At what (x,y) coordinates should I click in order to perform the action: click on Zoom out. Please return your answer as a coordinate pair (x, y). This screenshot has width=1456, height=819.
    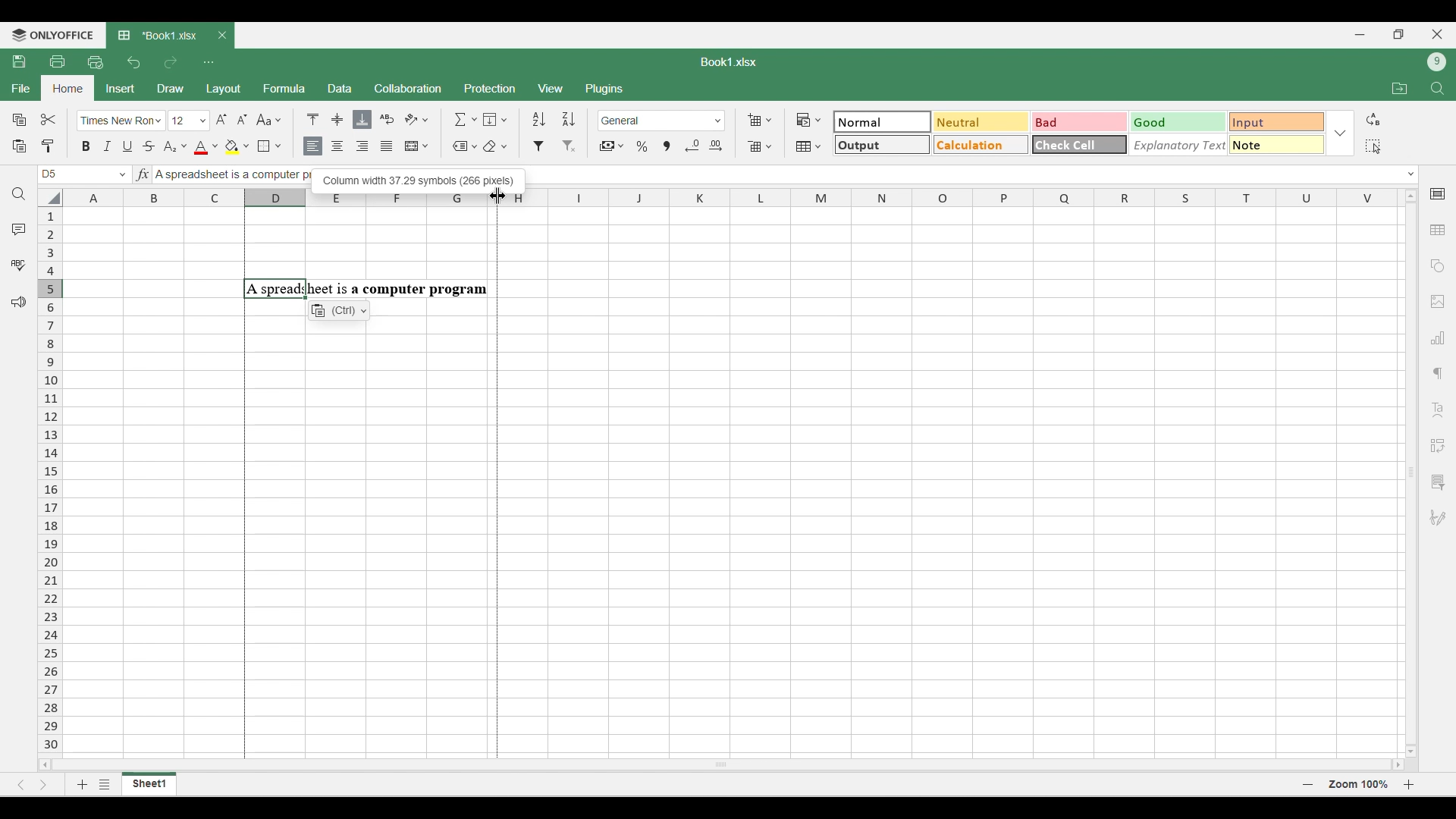
    Looking at the image, I should click on (1308, 784).